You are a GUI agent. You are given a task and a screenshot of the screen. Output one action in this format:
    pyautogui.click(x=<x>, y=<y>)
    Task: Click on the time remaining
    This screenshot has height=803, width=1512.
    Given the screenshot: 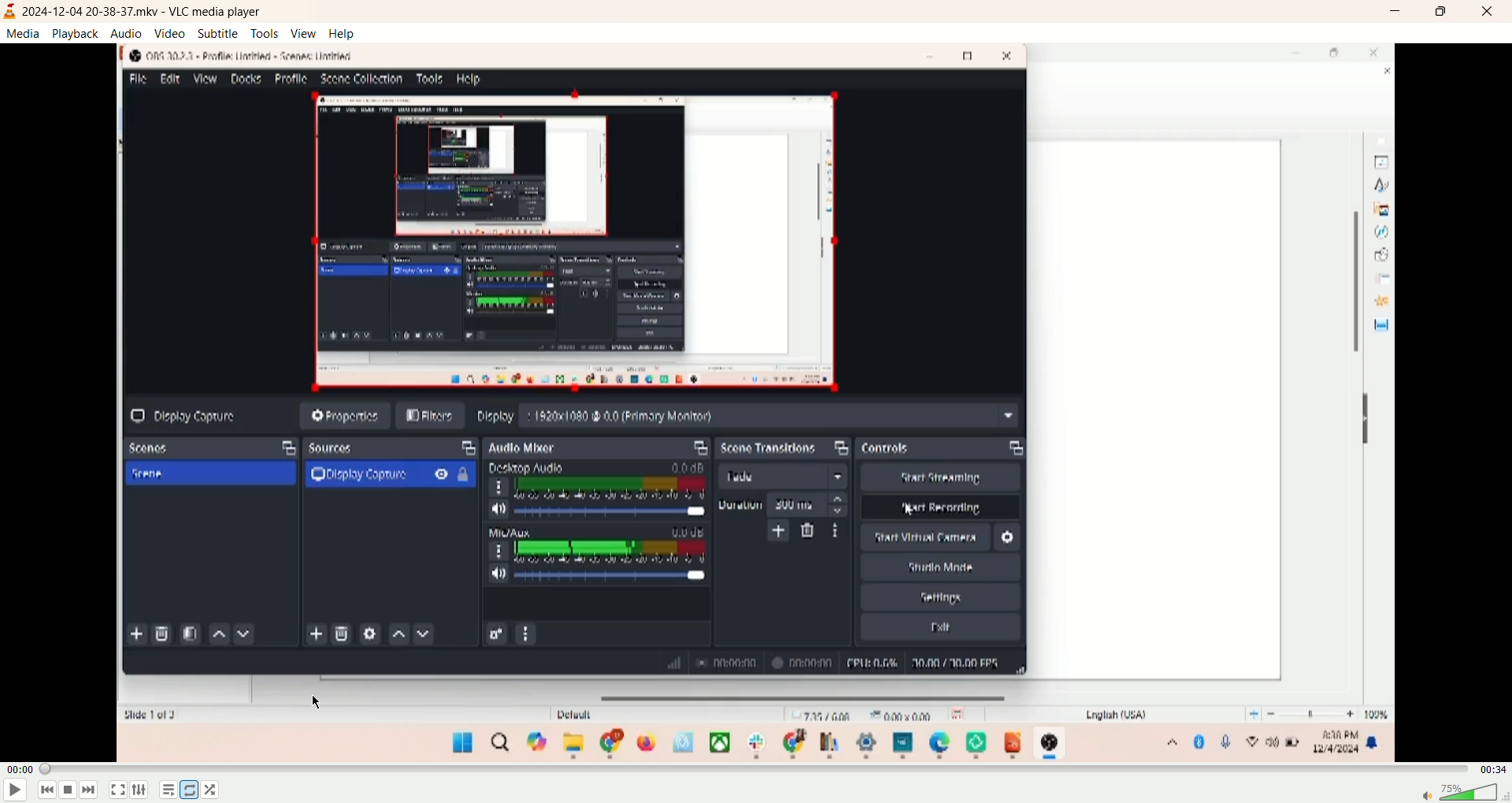 What is the action you would take?
    pyautogui.click(x=1493, y=770)
    